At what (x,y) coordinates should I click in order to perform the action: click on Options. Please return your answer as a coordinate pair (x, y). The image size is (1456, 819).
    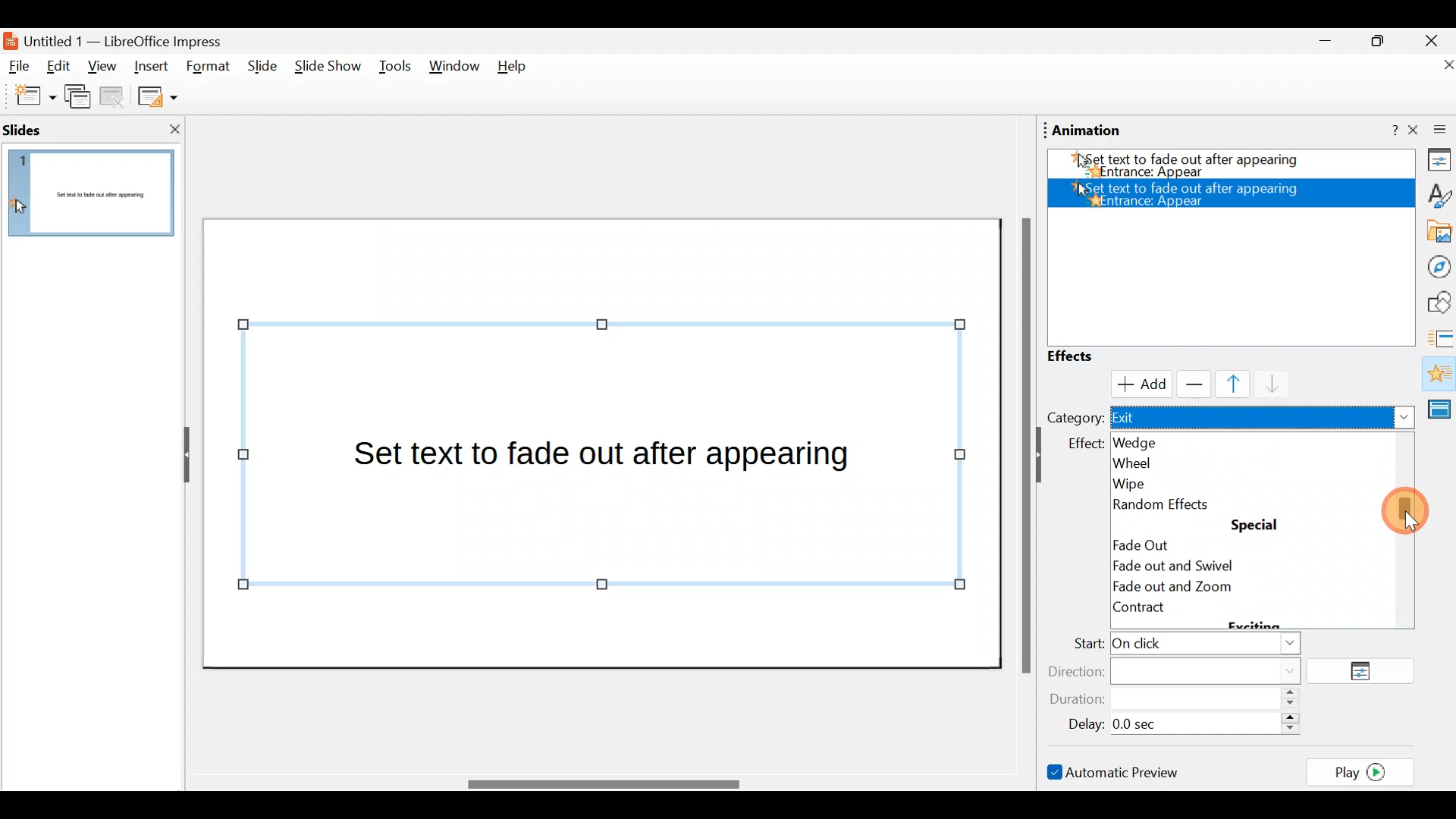
    Looking at the image, I should click on (1367, 672).